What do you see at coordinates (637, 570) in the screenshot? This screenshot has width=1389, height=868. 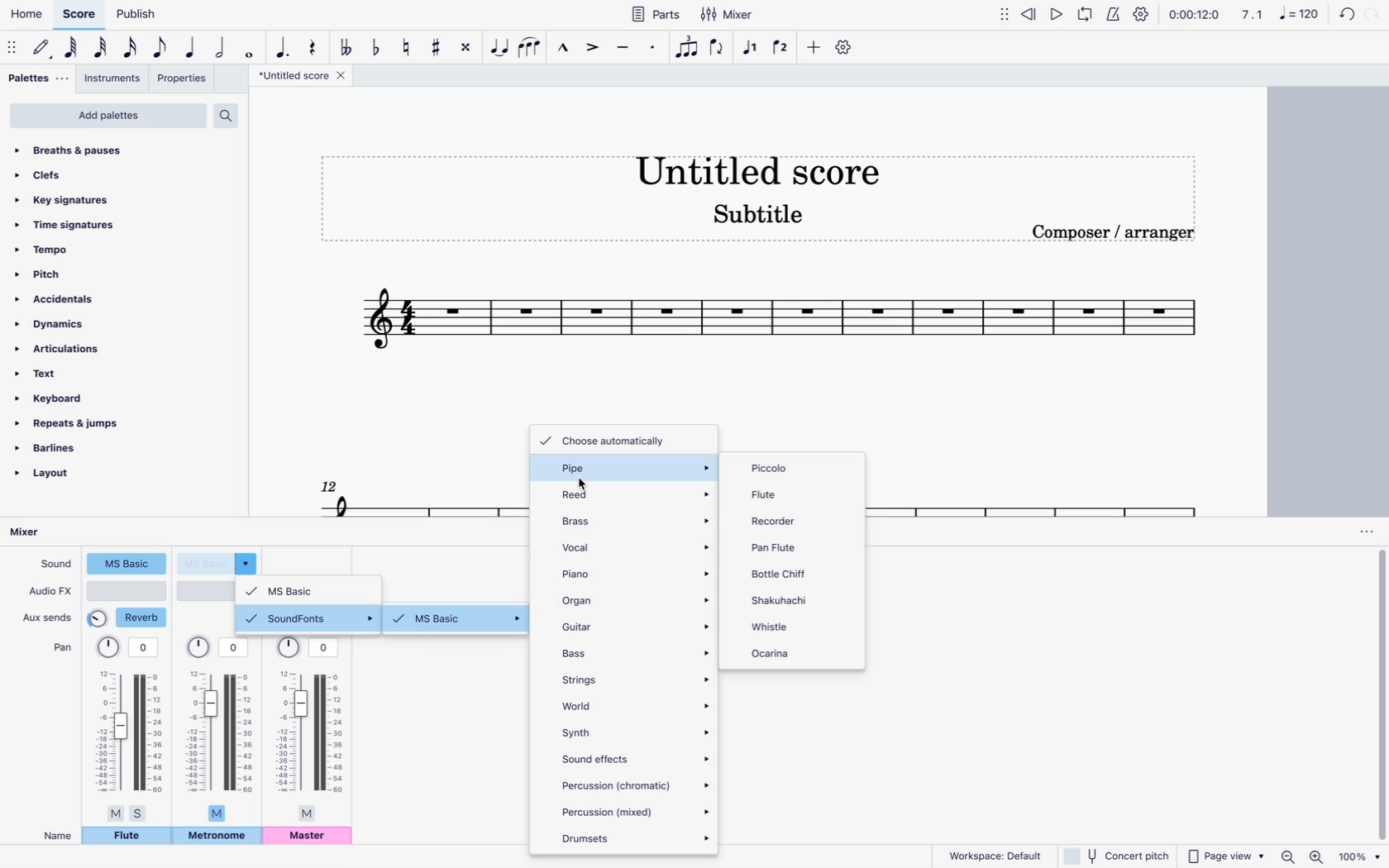 I see `piano` at bounding box center [637, 570].